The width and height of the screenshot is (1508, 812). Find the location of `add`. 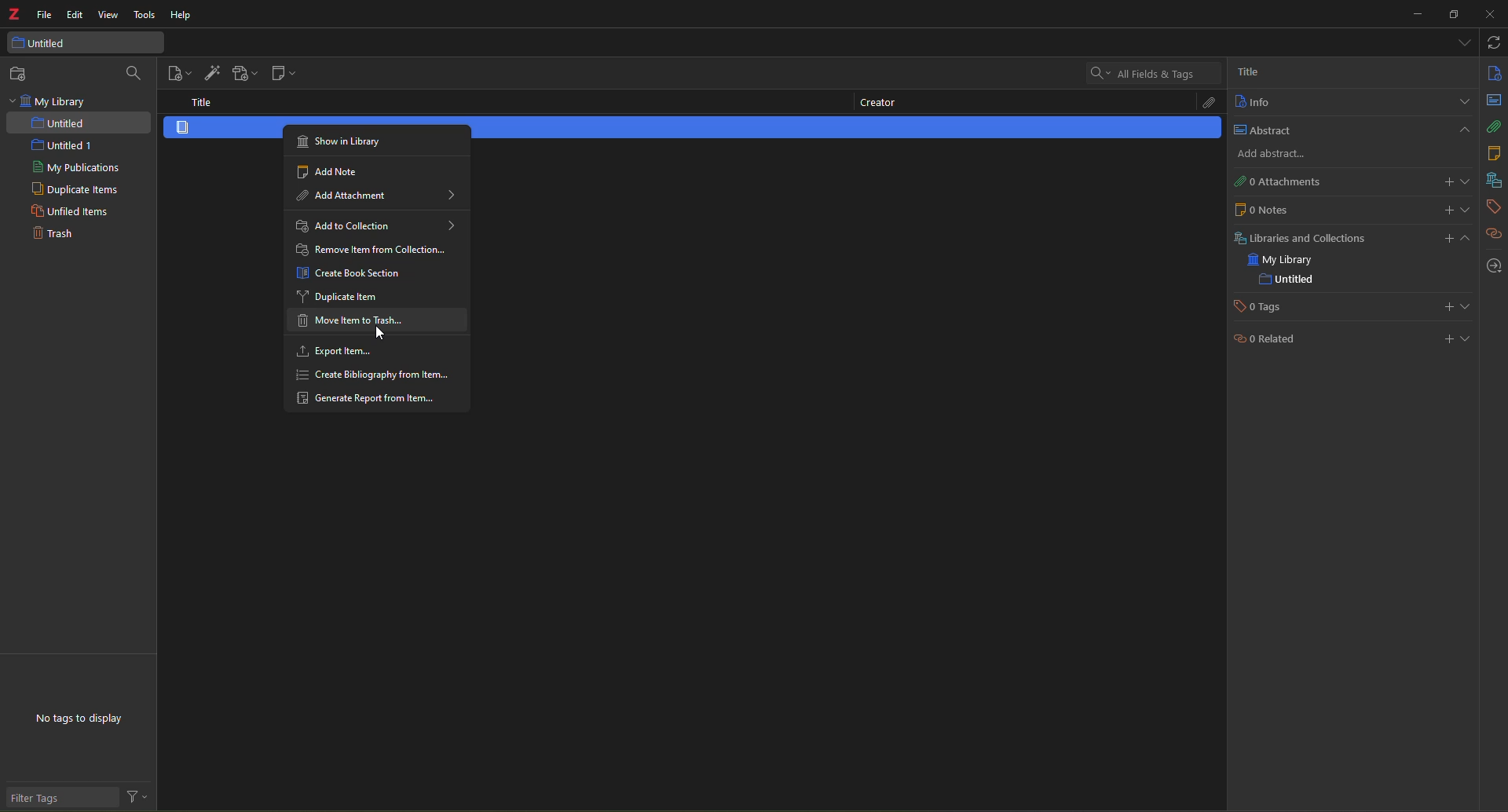

add is located at coordinates (1447, 182).